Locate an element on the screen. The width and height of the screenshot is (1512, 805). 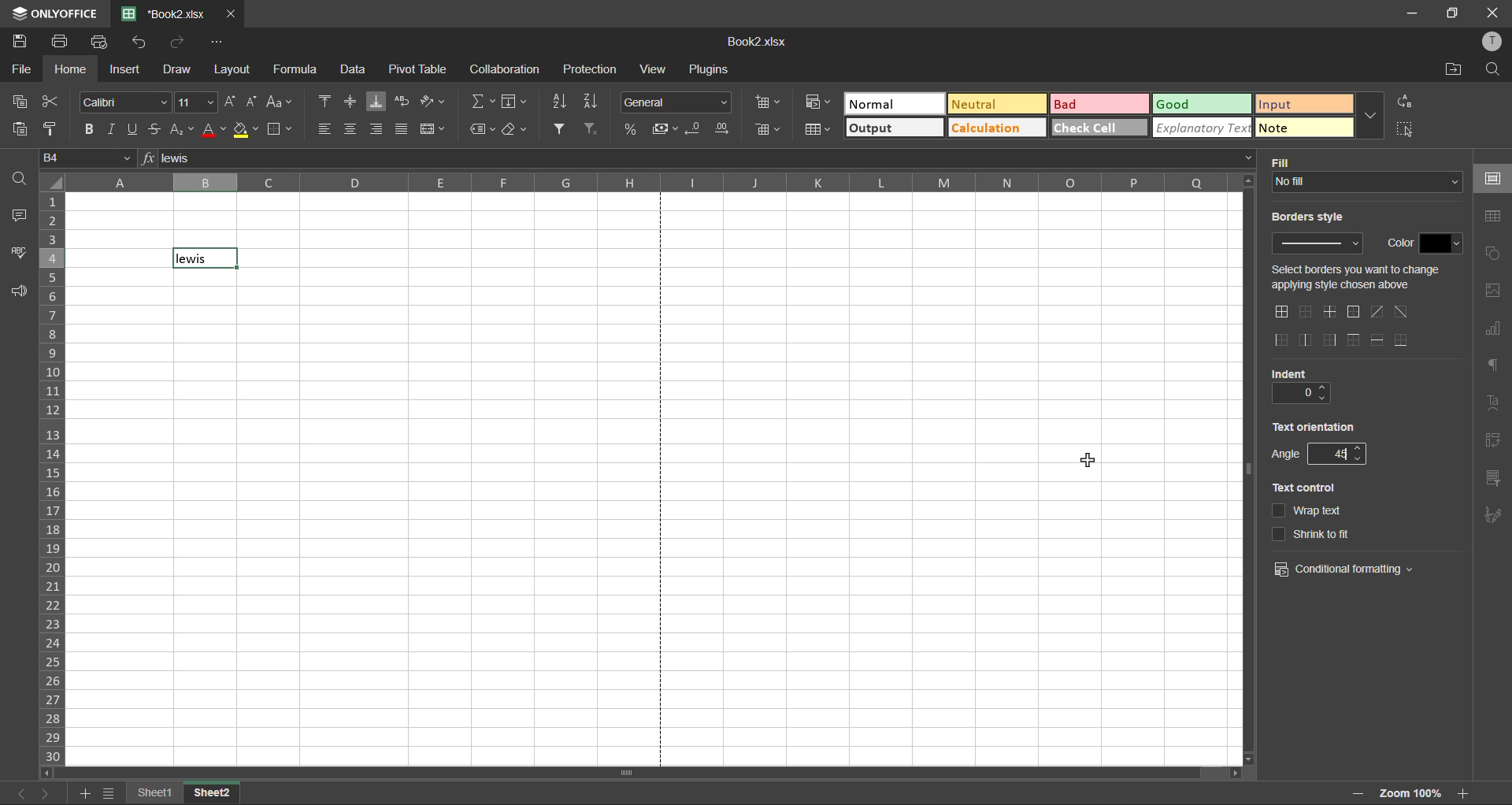
comments is located at coordinates (22, 218).